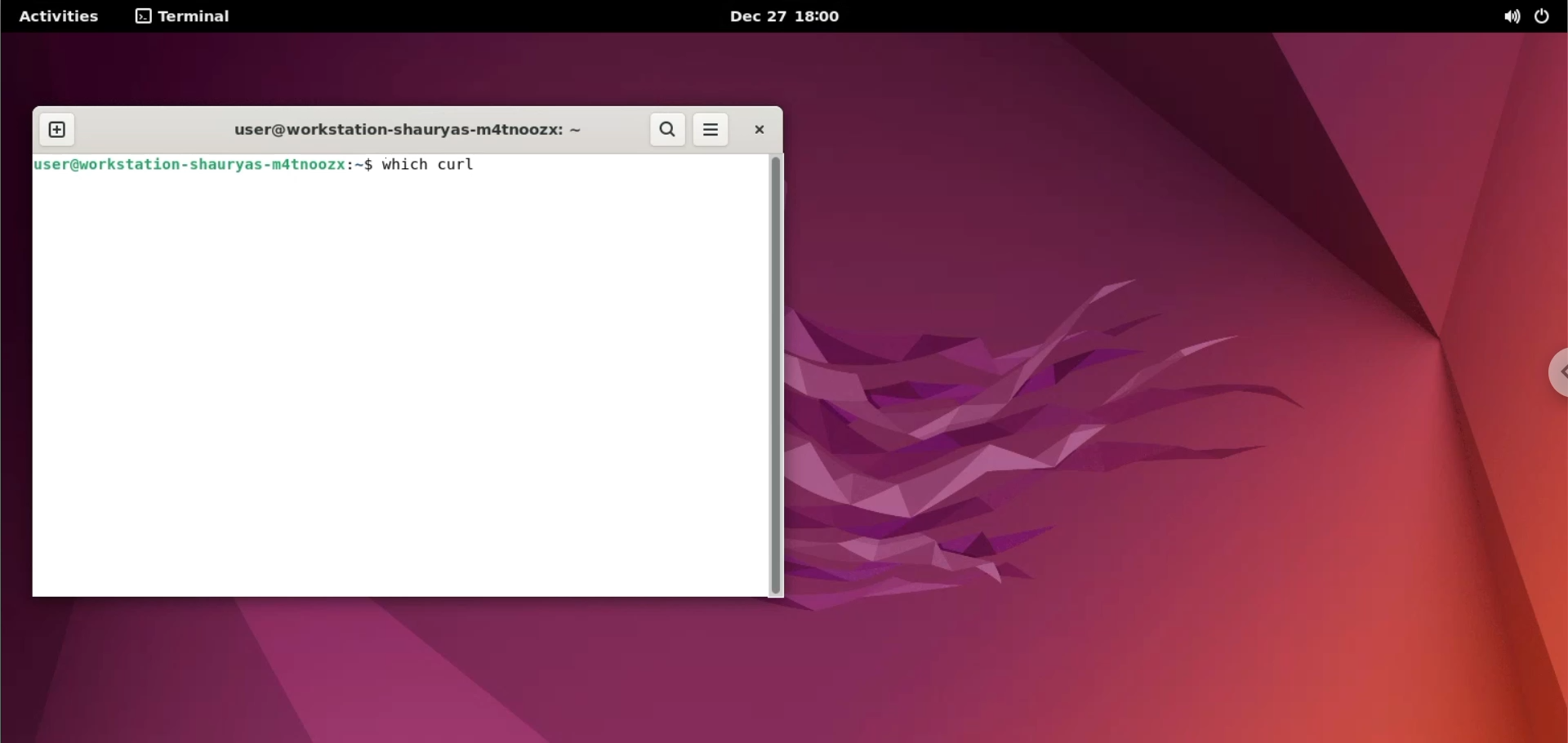 The image size is (1568, 743). I want to click on power options, so click(1542, 19).